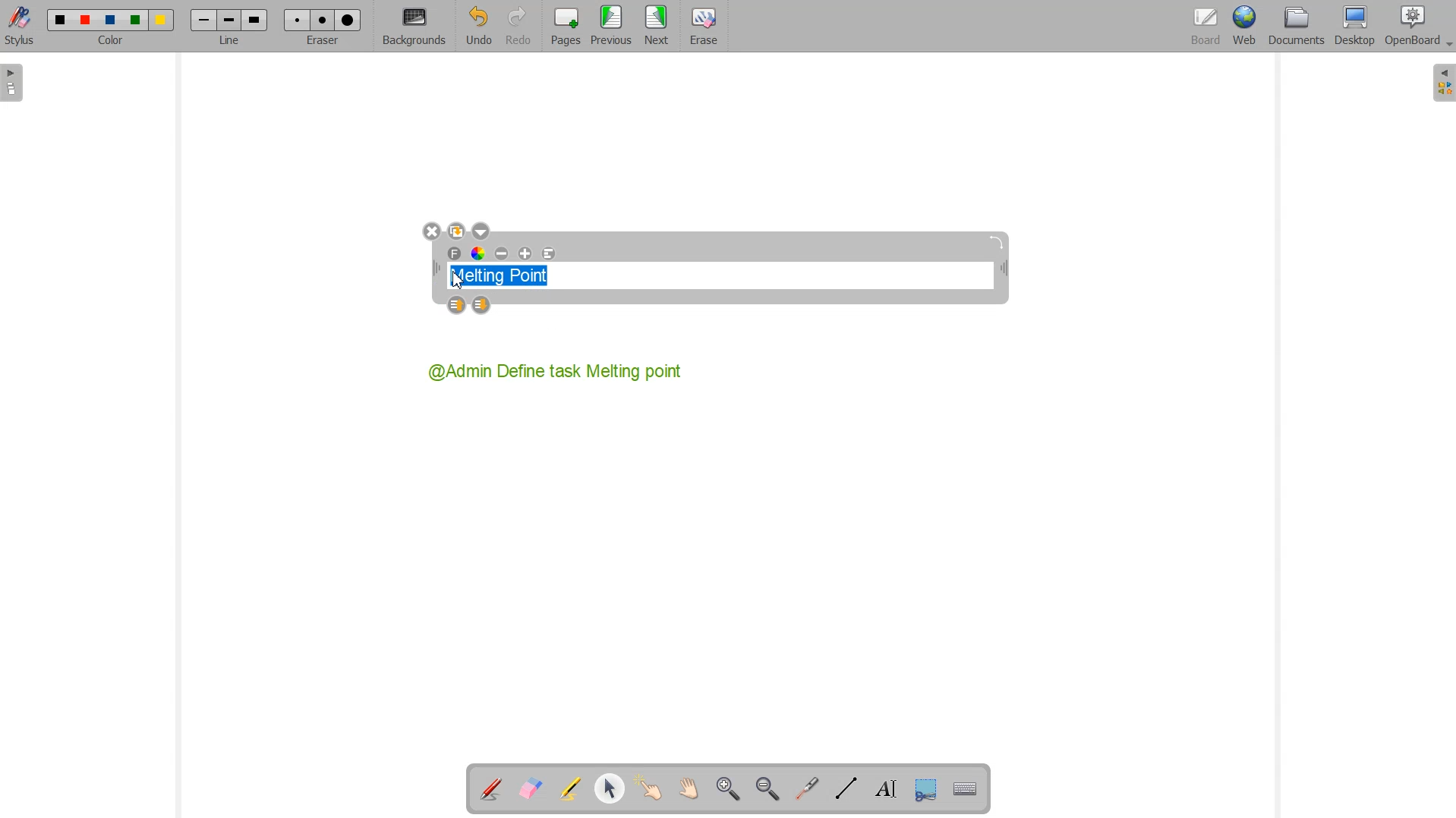  I want to click on Virtual laser Pointer, so click(807, 788).